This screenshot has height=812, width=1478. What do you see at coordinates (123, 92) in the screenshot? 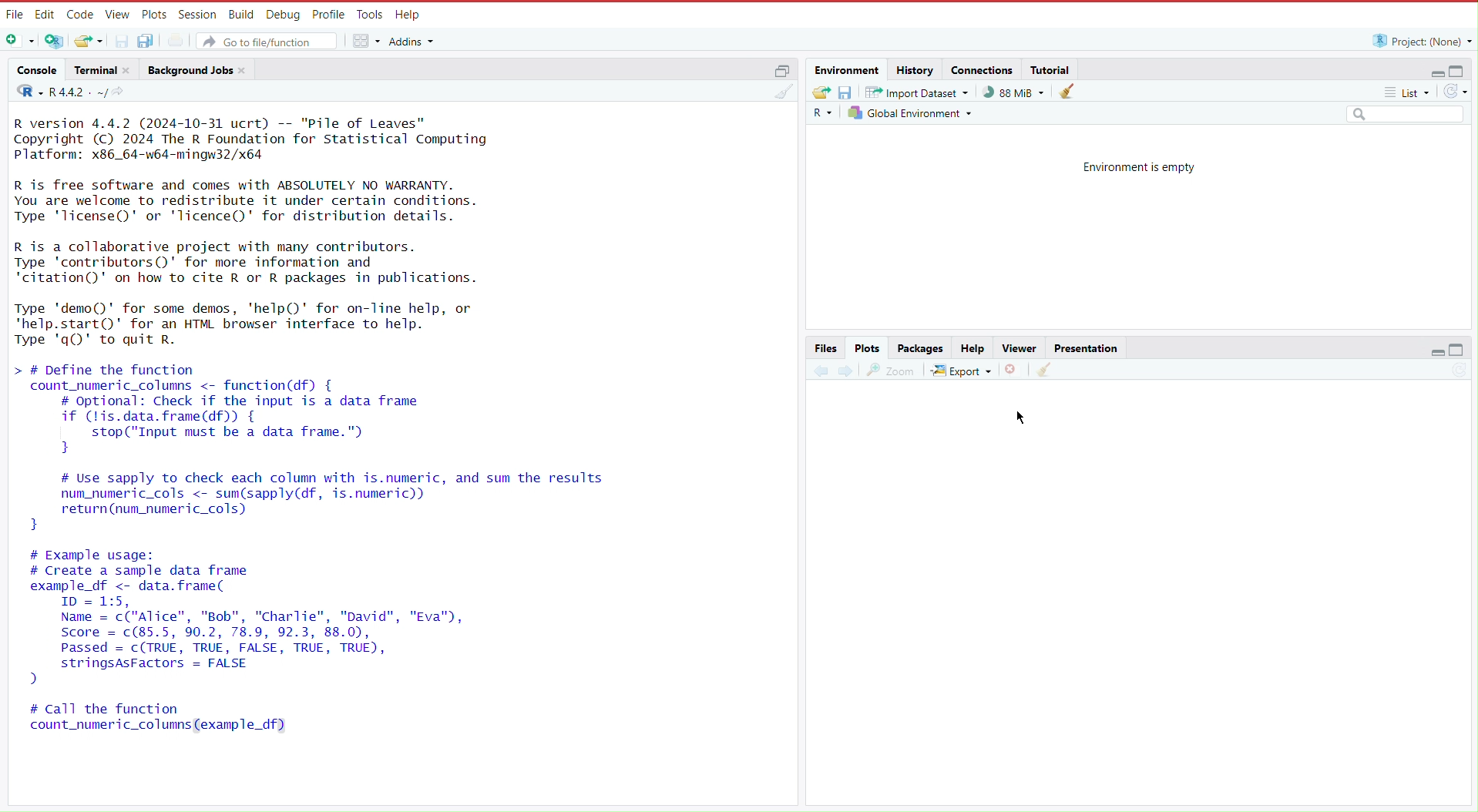
I see `View the current working directory` at bounding box center [123, 92].